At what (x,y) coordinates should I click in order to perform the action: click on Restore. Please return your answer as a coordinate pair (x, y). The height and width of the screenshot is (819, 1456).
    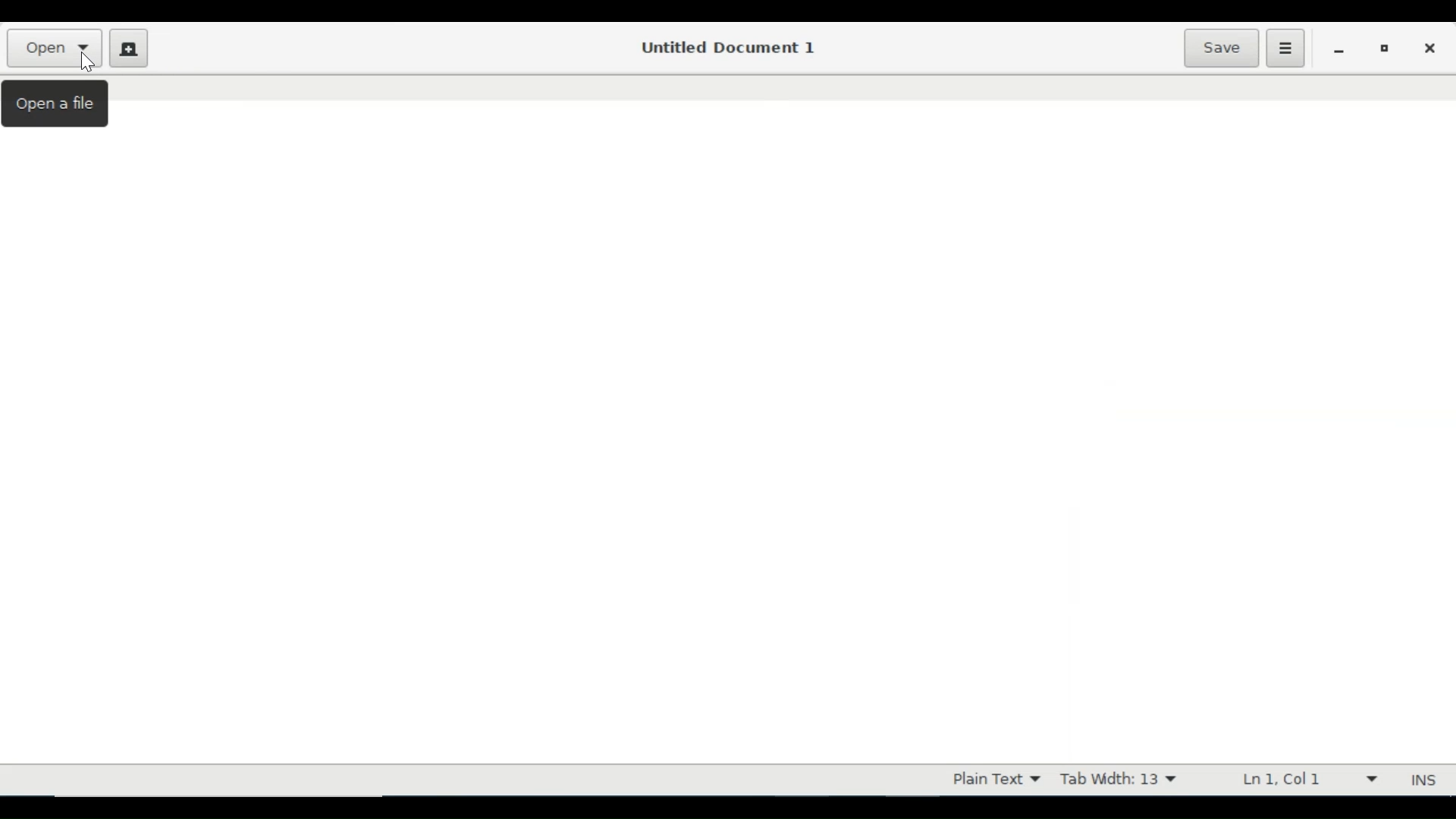
    Looking at the image, I should click on (1385, 47).